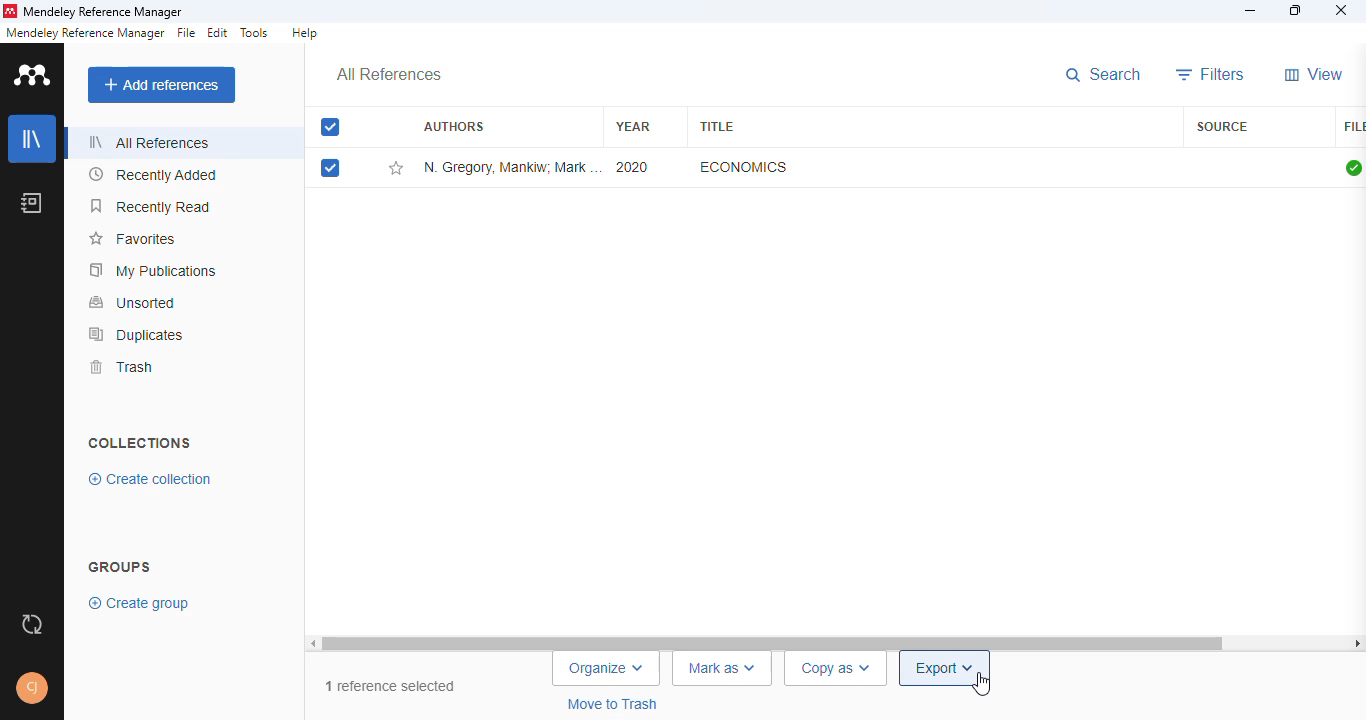 The width and height of the screenshot is (1366, 720). Describe the element at coordinates (330, 127) in the screenshot. I see `selected` at that location.